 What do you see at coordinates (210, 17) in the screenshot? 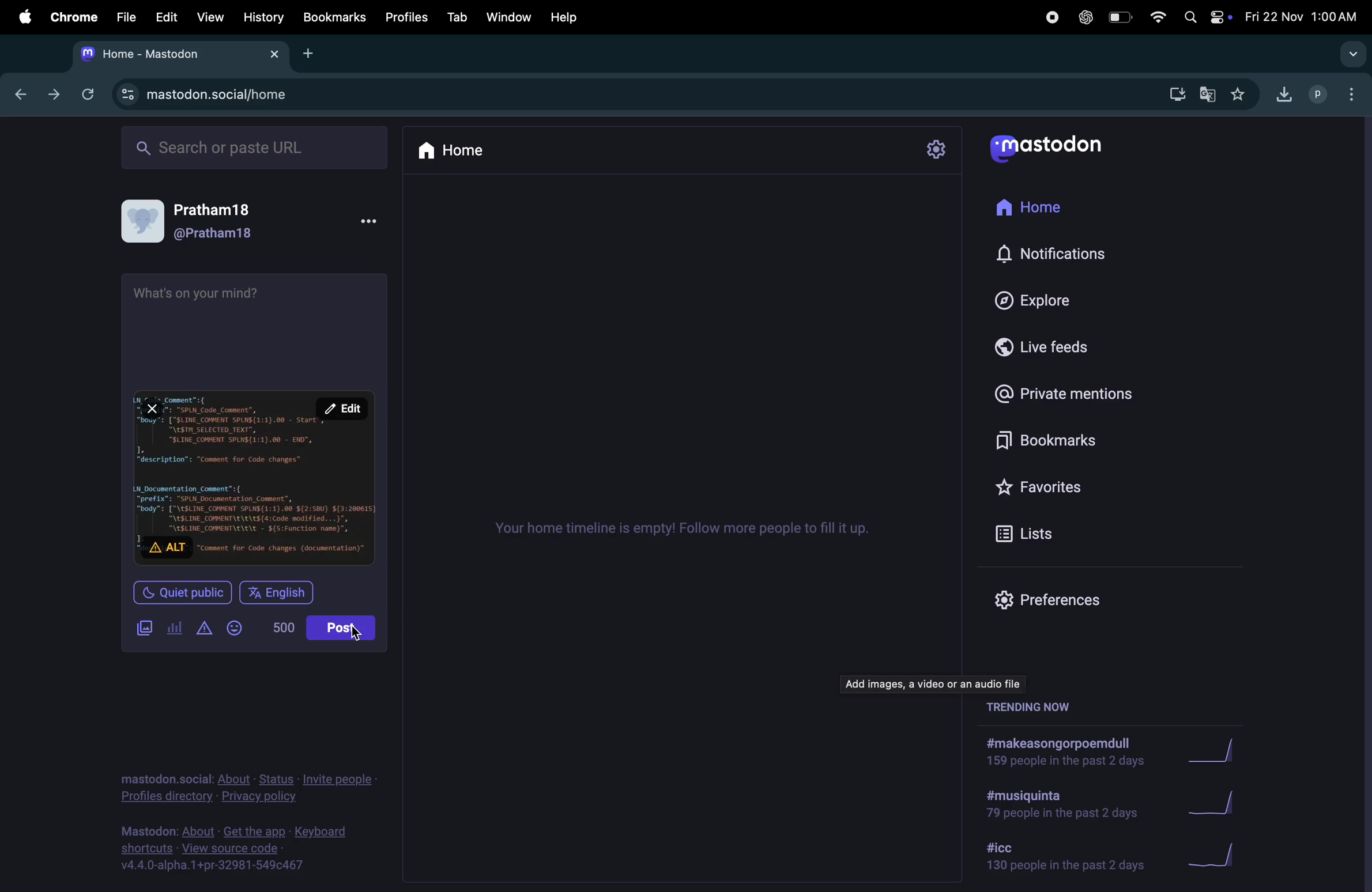
I see `view` at bounding box center [210, 17].